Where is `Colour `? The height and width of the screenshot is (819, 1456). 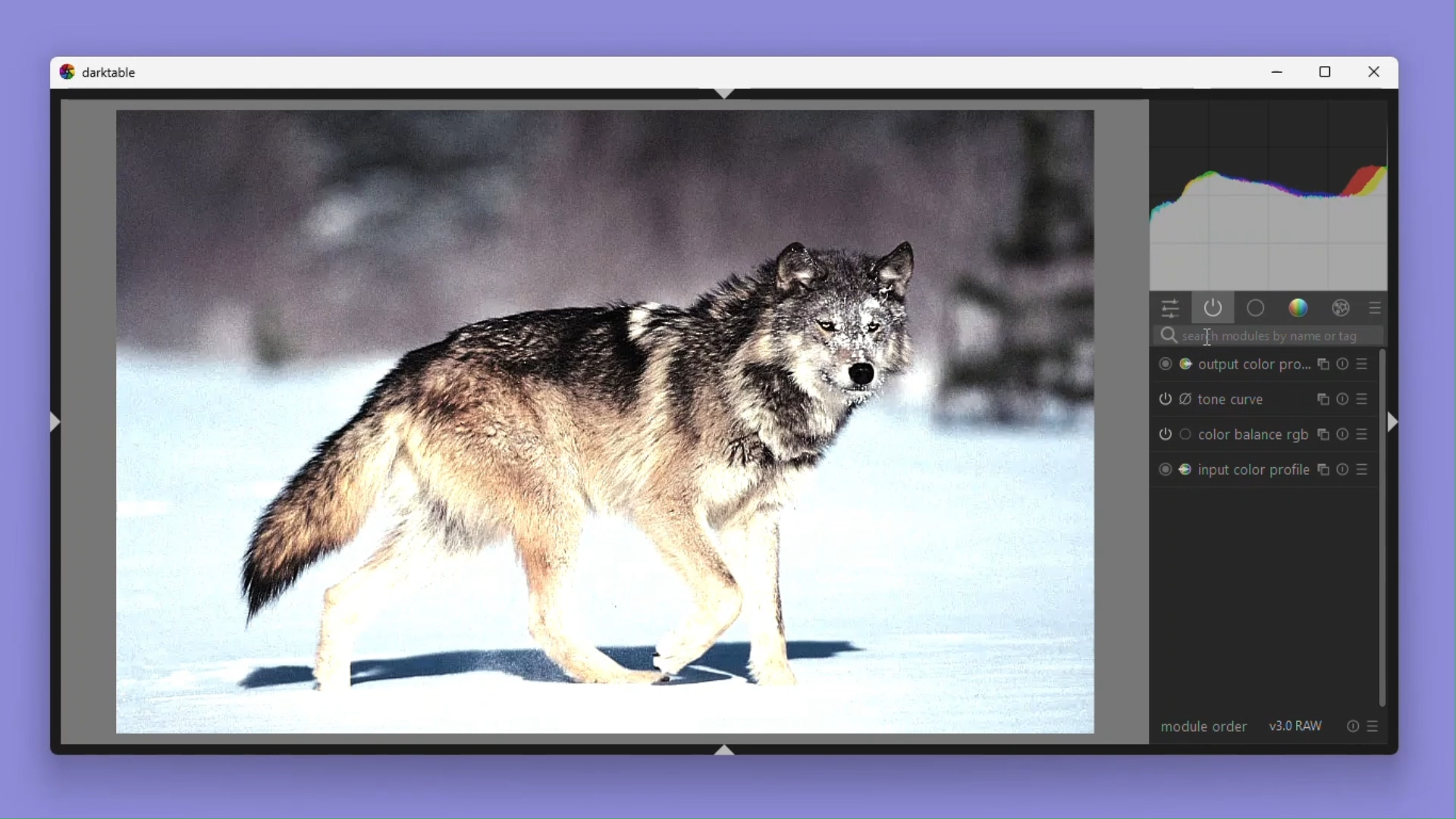 Colour  is located at coordinates (1301, 309).